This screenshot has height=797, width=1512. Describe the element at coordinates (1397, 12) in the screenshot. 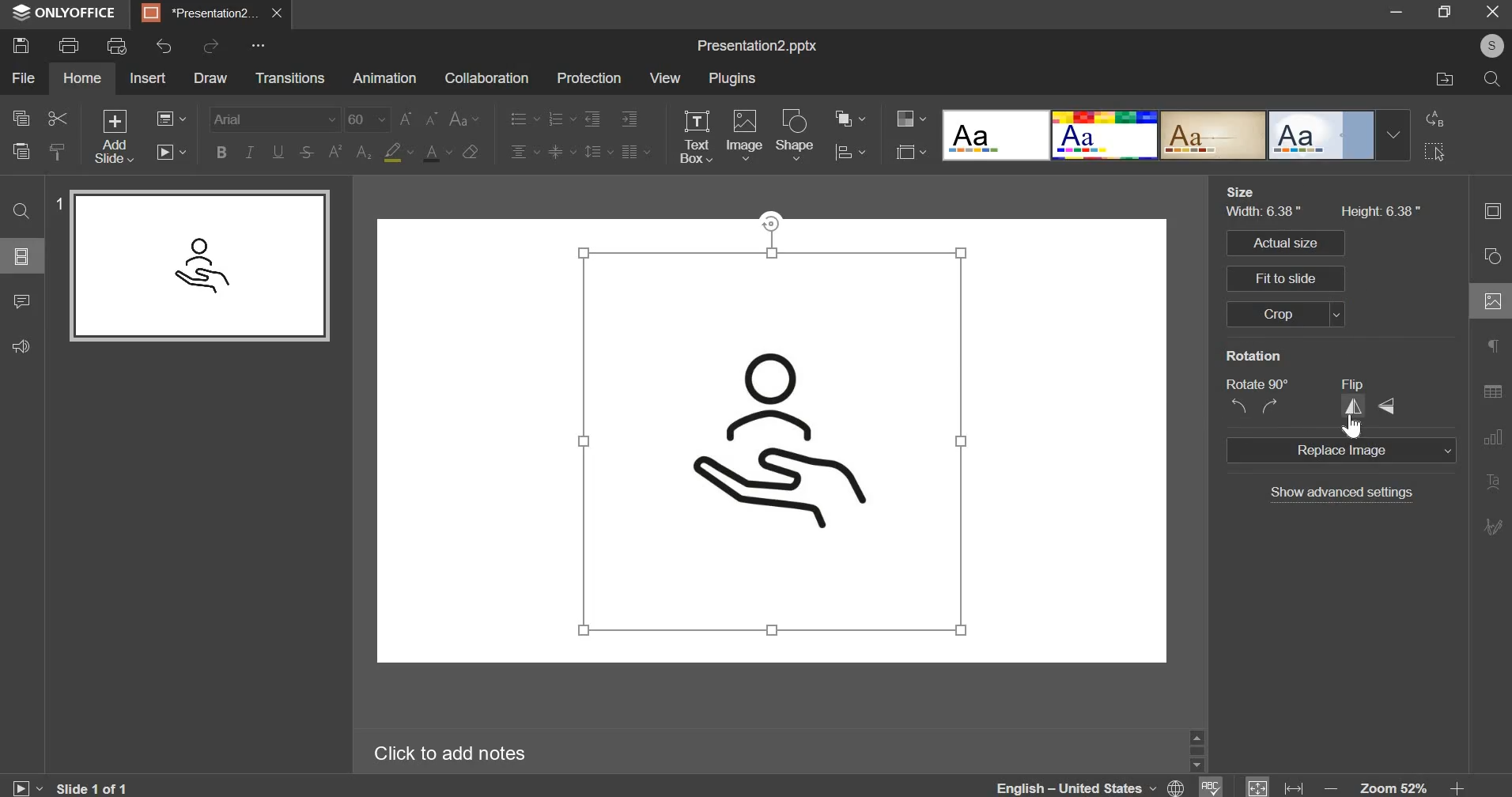

I see `minimize` at that location.